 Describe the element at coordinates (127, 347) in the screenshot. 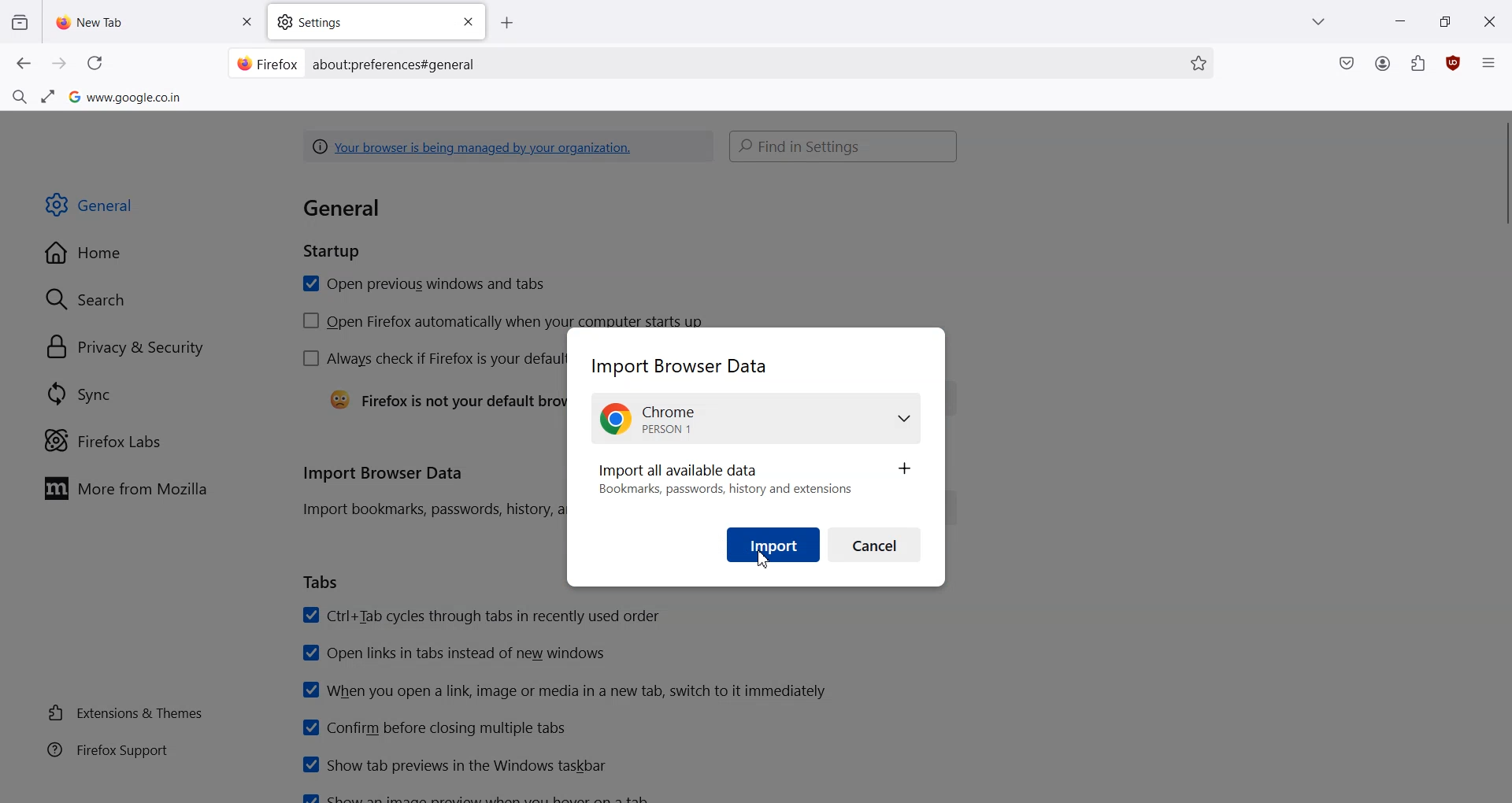

I see `Privacy & Security` at that location.